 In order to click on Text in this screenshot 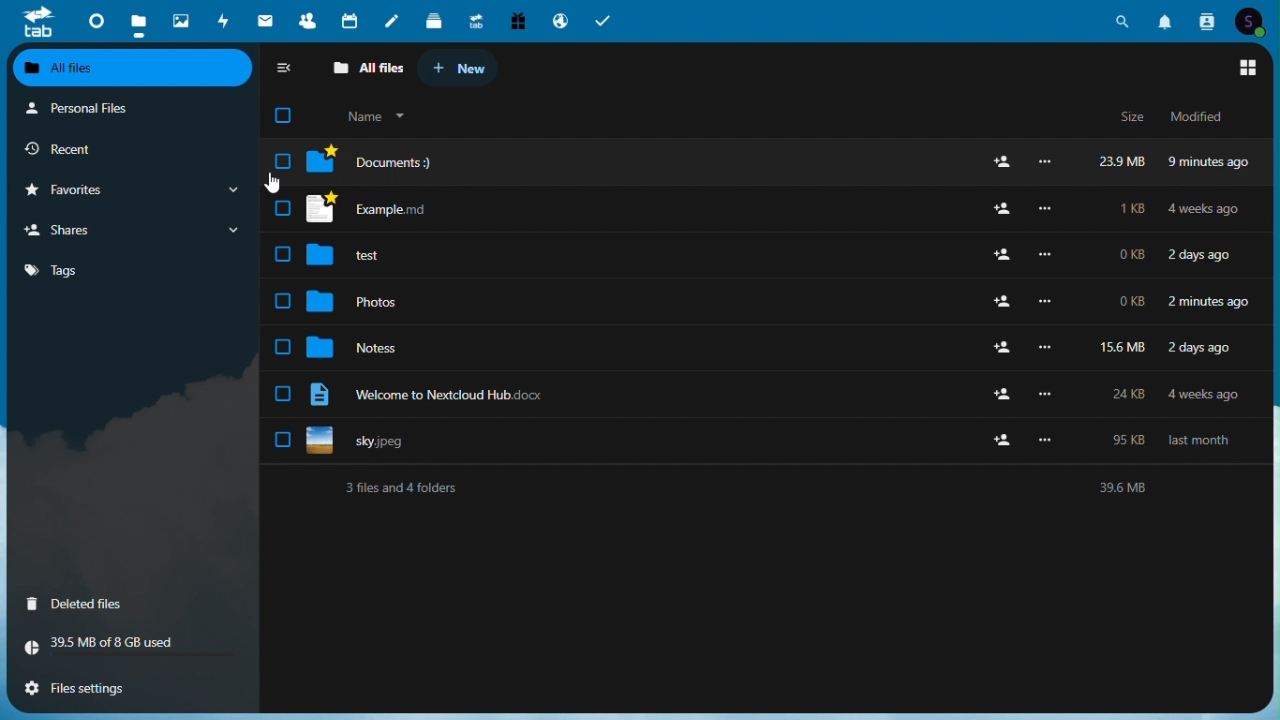, I will do `click(749, 486)`.